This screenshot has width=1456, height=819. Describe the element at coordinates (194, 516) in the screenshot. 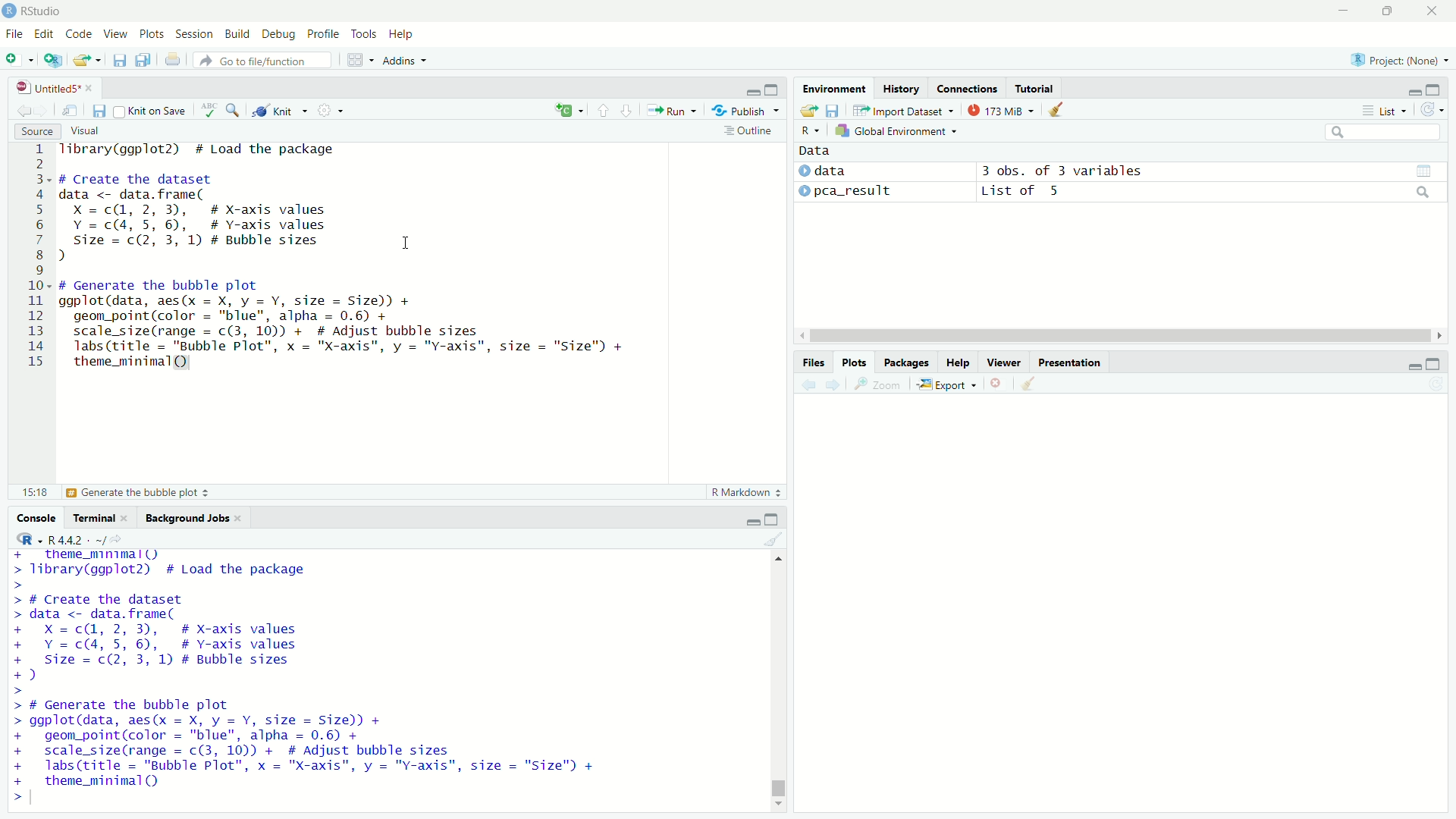

I see `background jobs` at that location.